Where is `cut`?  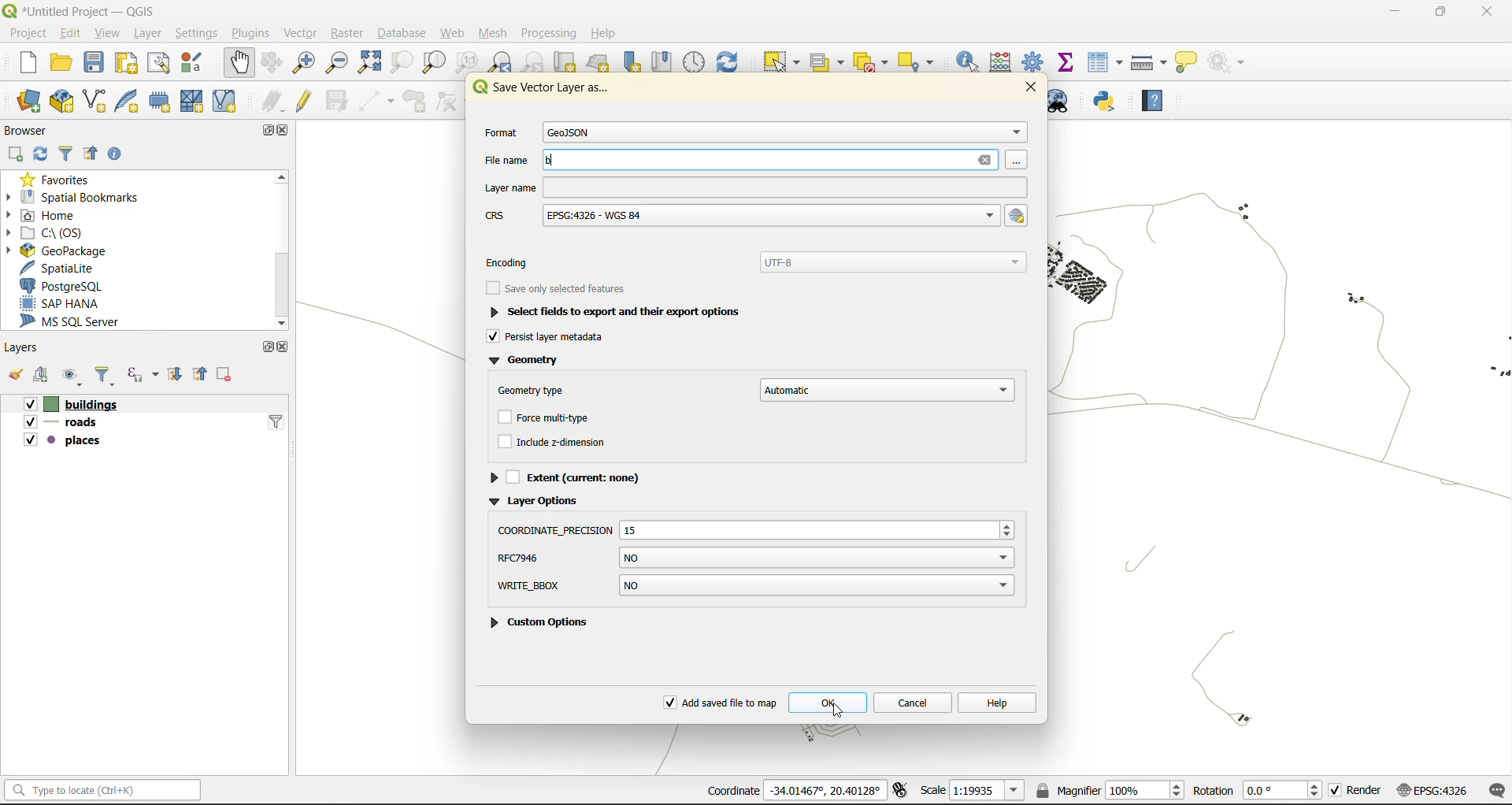
cut is located at coordinates (566, 61).